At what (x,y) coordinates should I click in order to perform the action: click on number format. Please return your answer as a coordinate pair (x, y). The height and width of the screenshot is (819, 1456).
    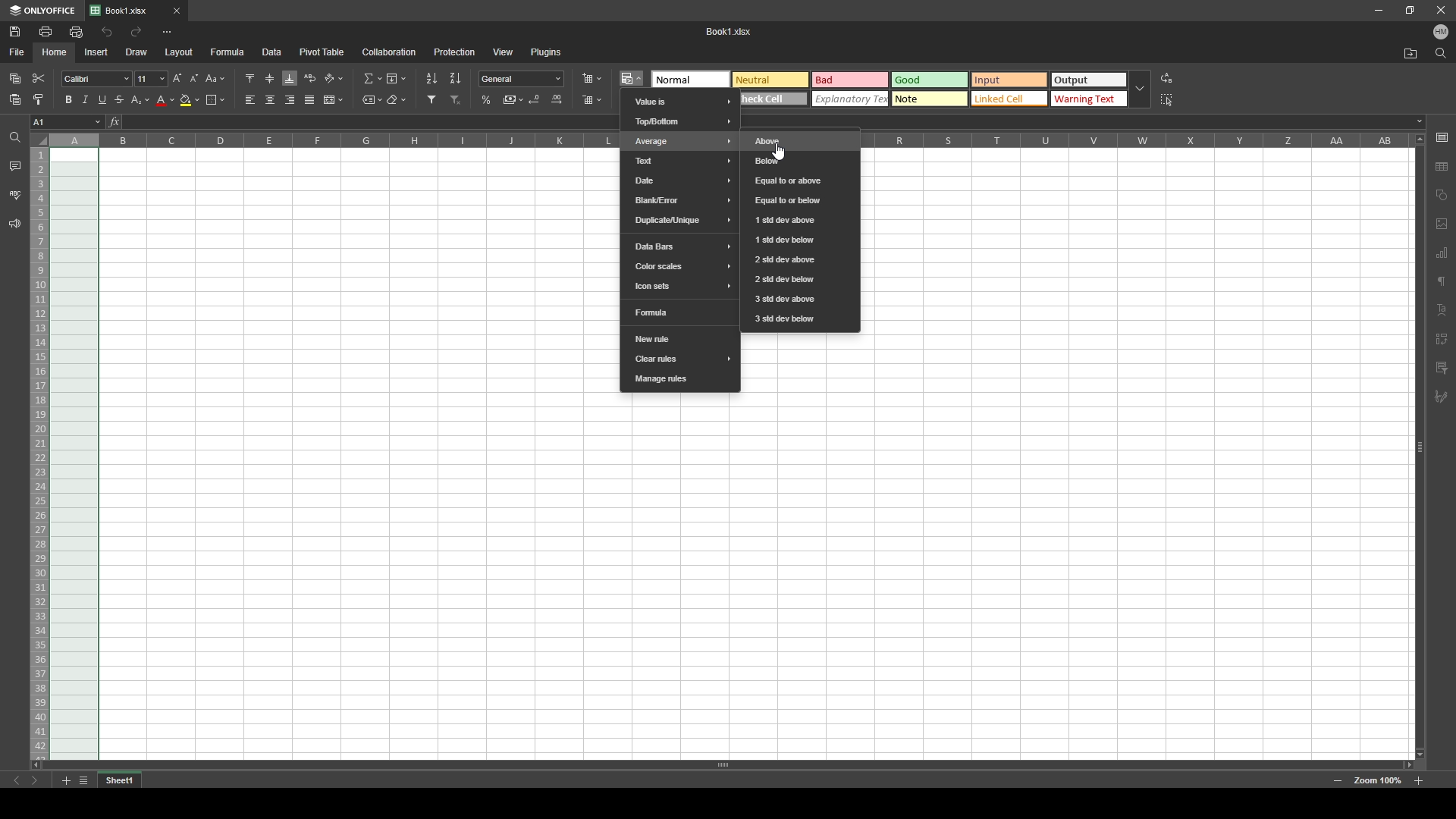
    Looking at the image, I should click on (522, 78).